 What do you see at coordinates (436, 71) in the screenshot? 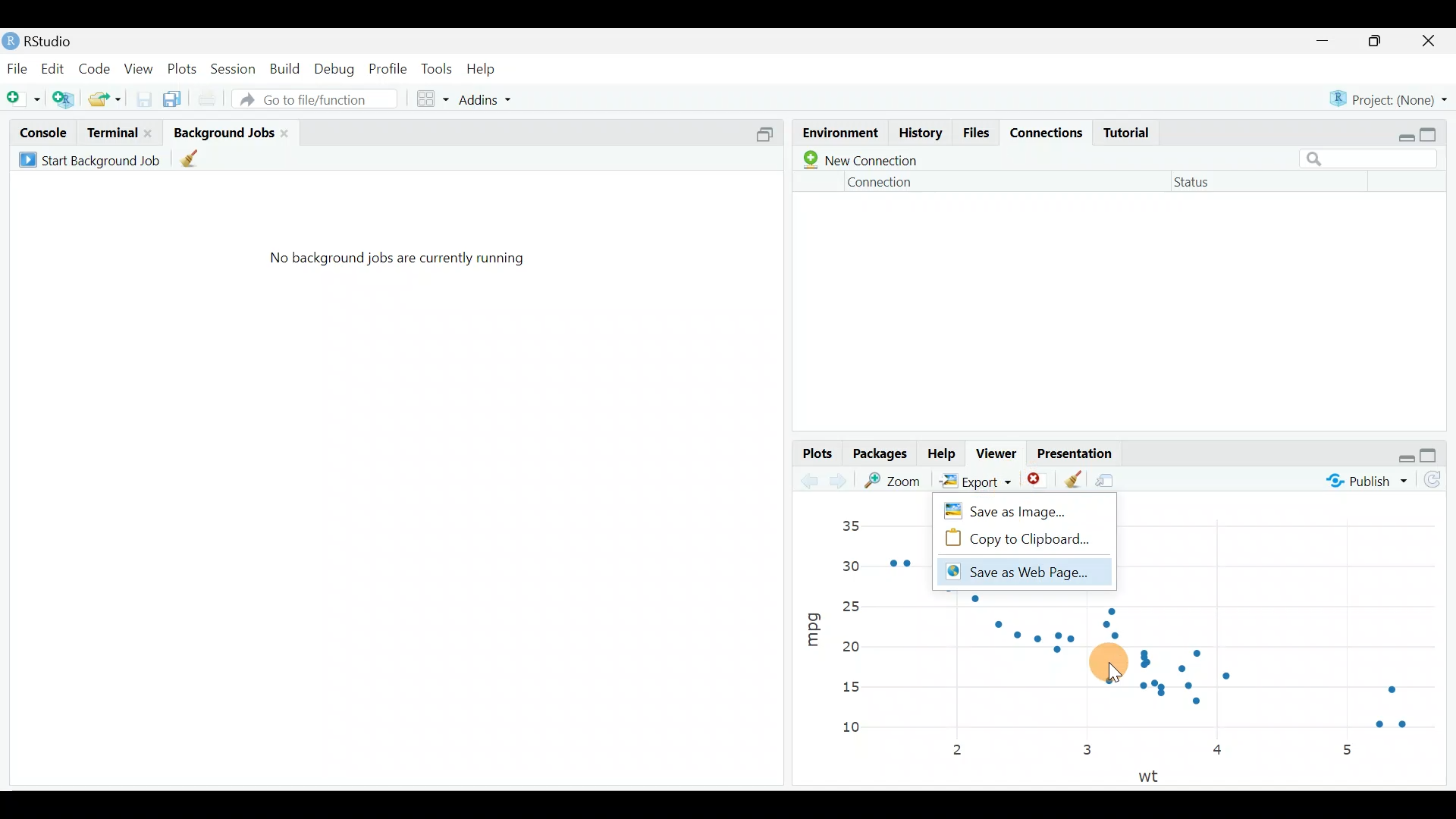
I see `Tools` at bounding box center [436, 71].